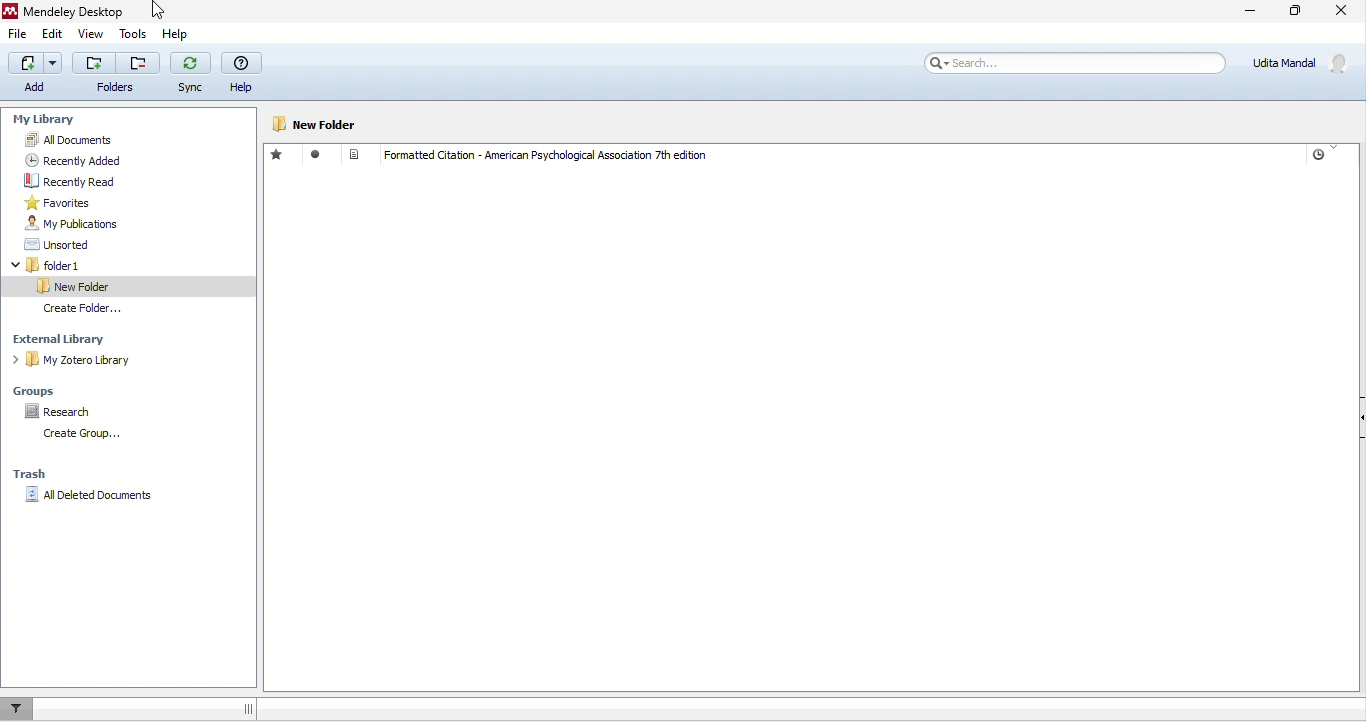 This screenshot has height=722, width=1366. What do you see at coordinates (17, 709) in the screenshot?
I see `filter` at bounding box center [17, 709].